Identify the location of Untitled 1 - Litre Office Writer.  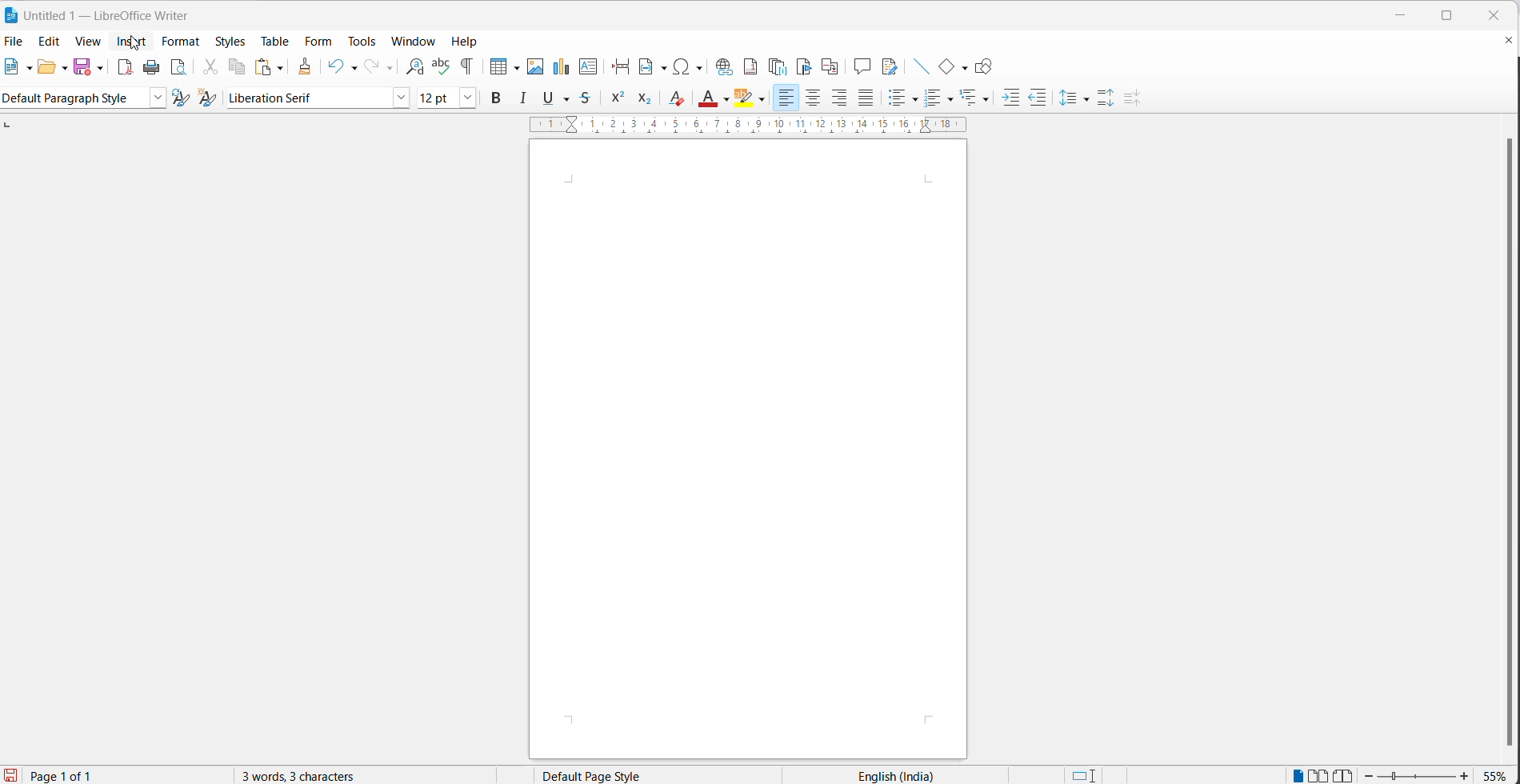
(107, 14).